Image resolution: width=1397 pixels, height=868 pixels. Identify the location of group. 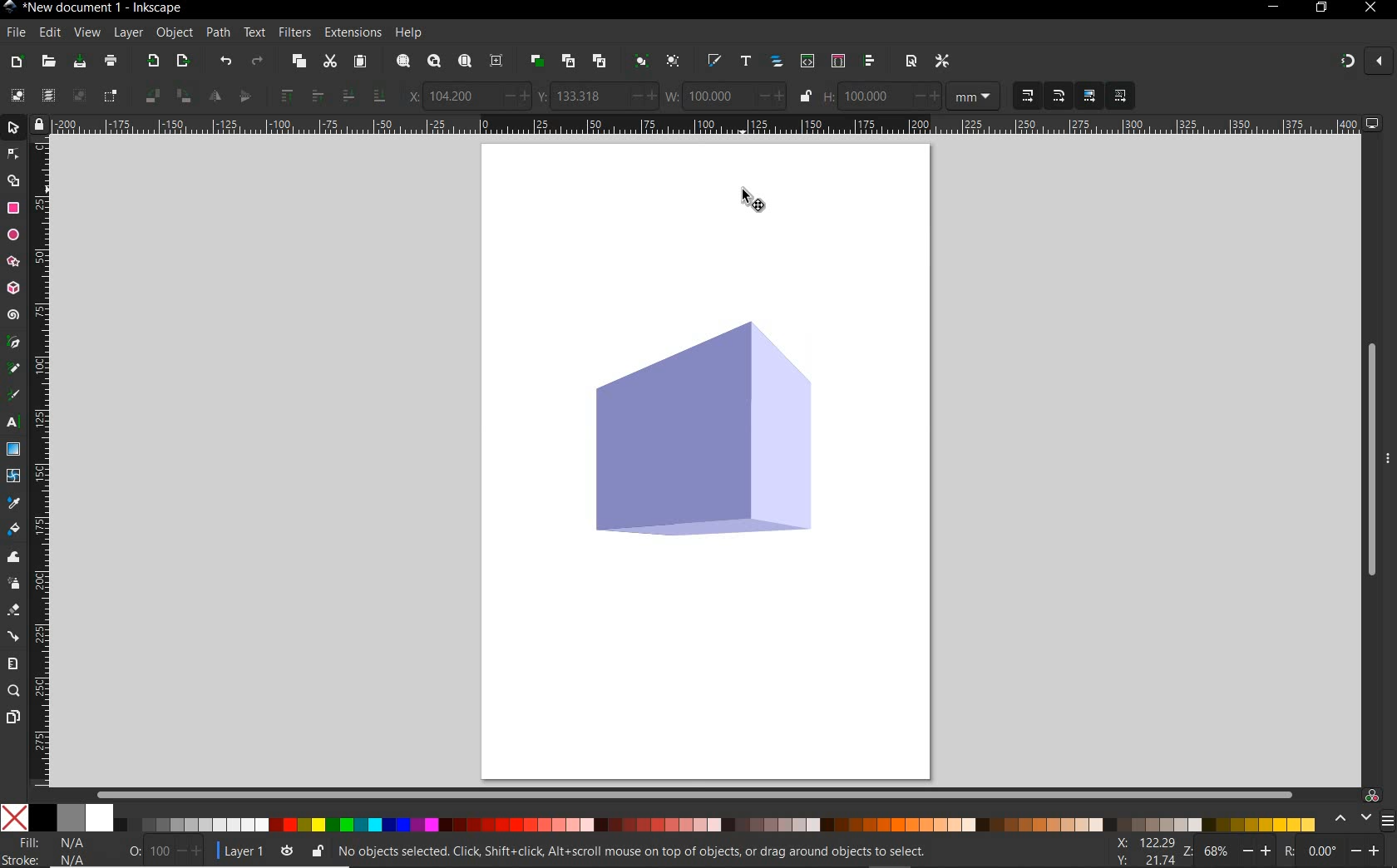
(639, 60).